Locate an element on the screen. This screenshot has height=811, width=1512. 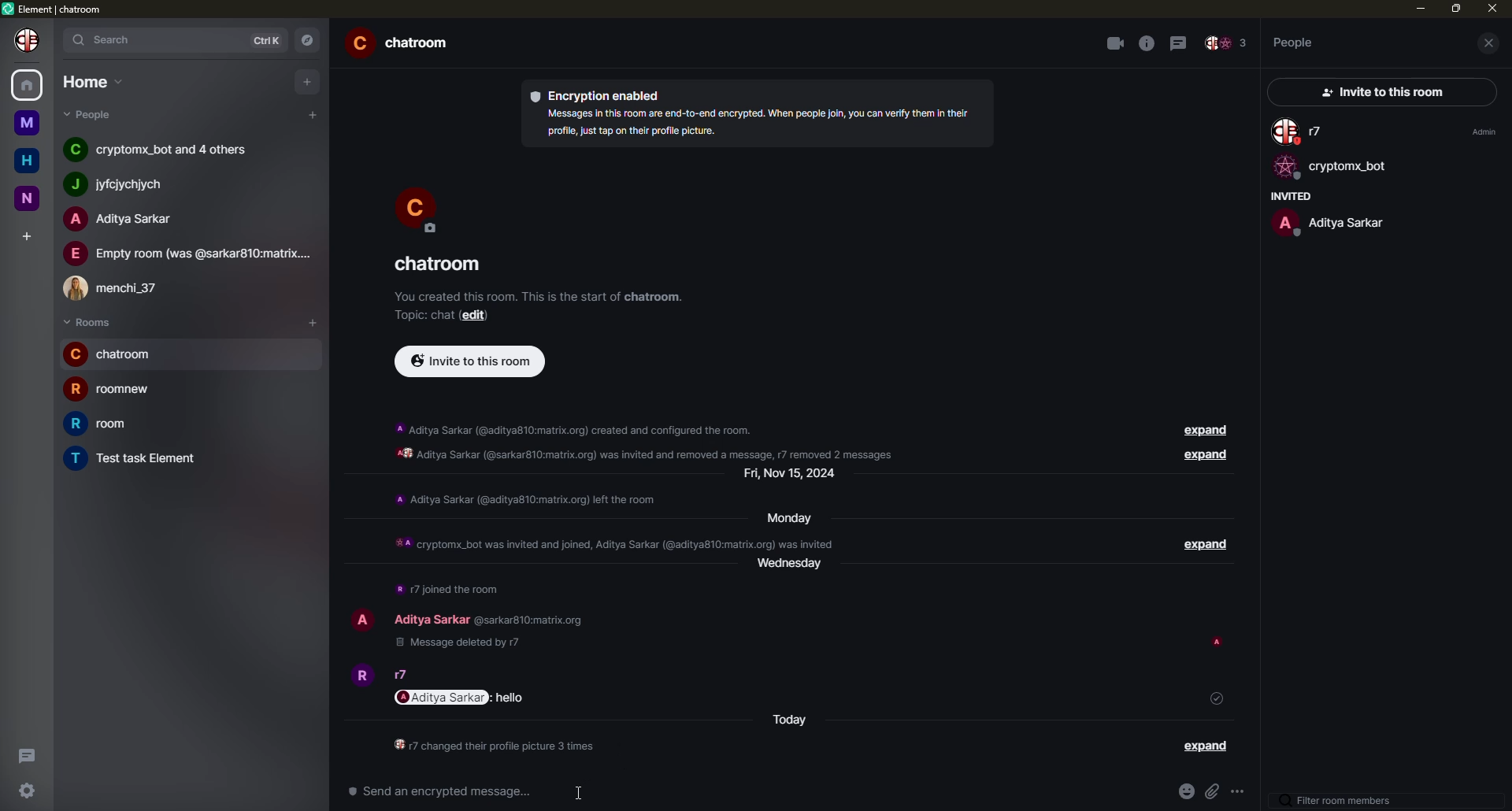
info is located at coordinates (526, 499).